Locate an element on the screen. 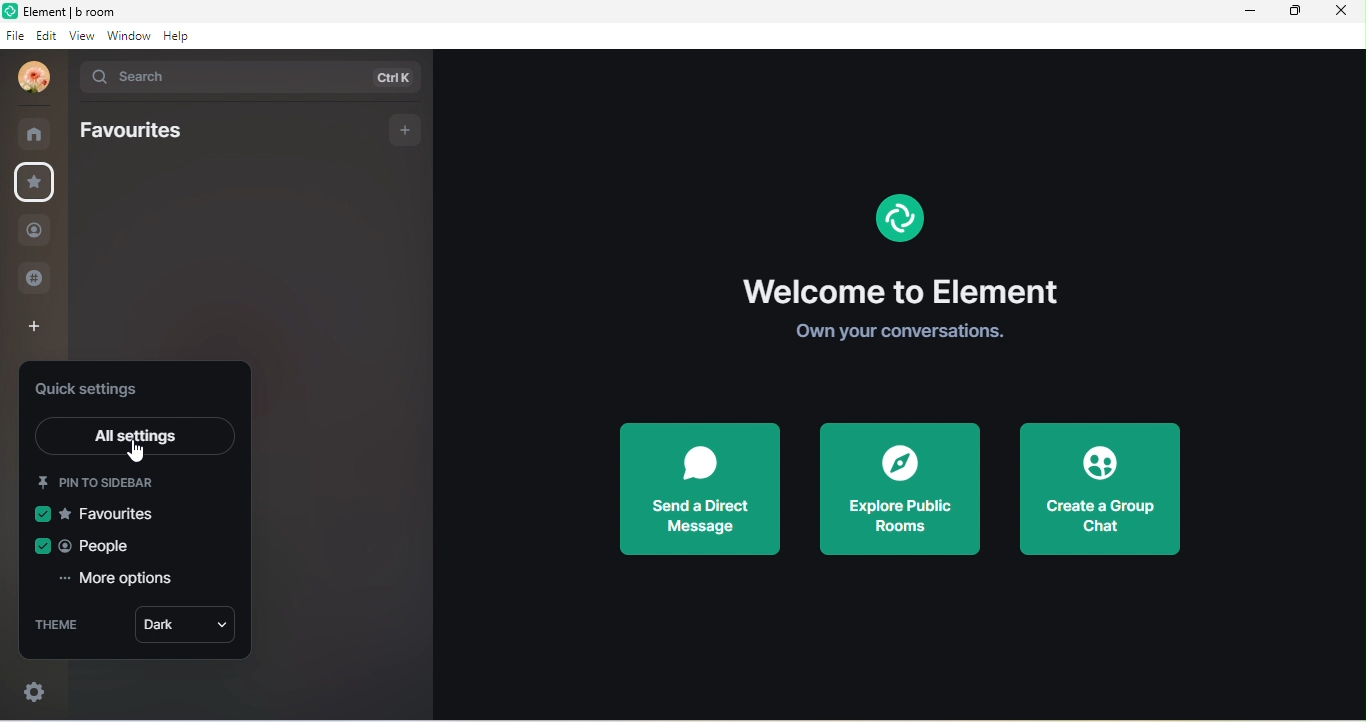  close is located at coordinates (1341, 13).